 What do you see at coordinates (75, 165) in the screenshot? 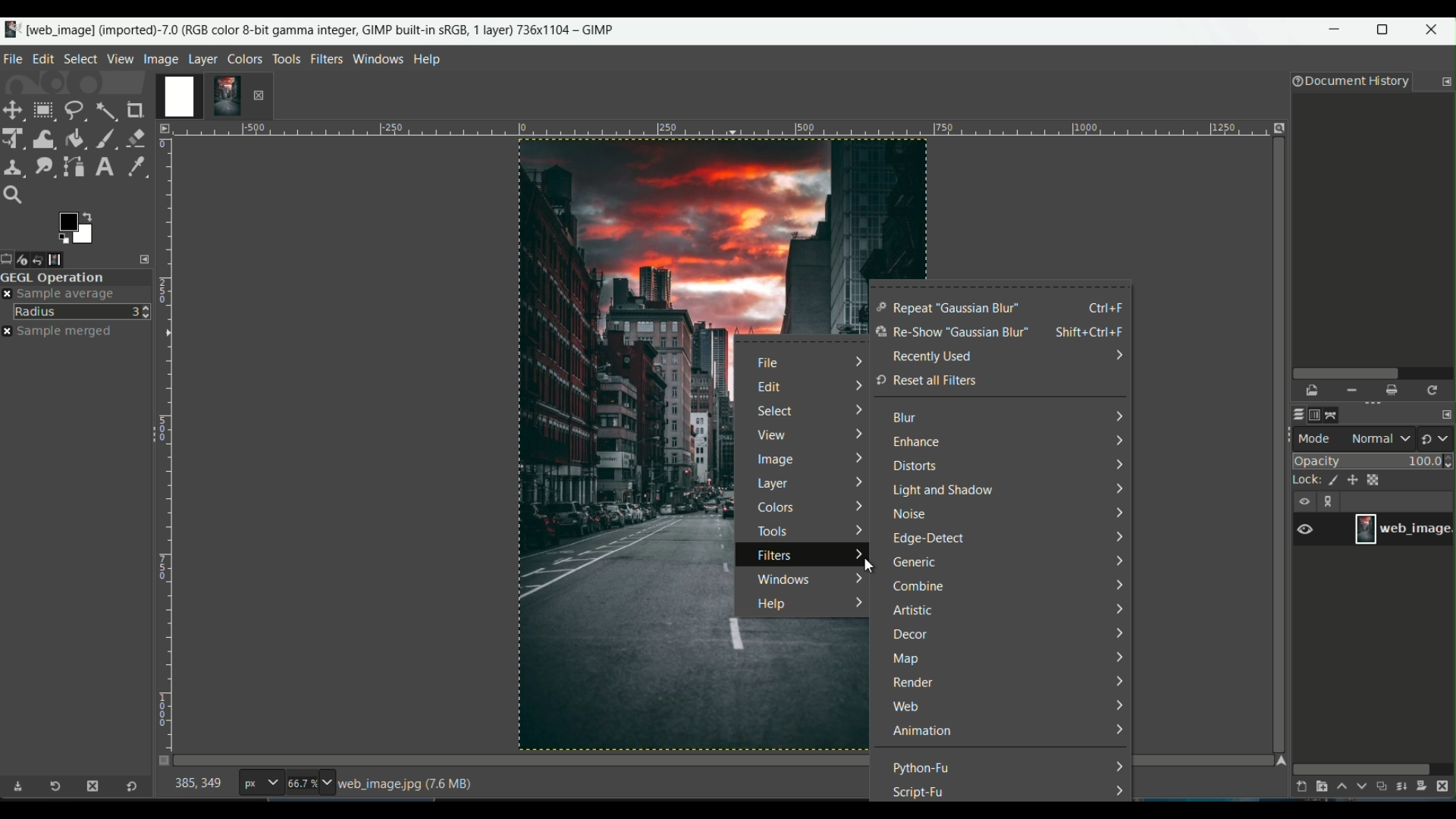
I see `path tool` at bounding box center [75, 165].